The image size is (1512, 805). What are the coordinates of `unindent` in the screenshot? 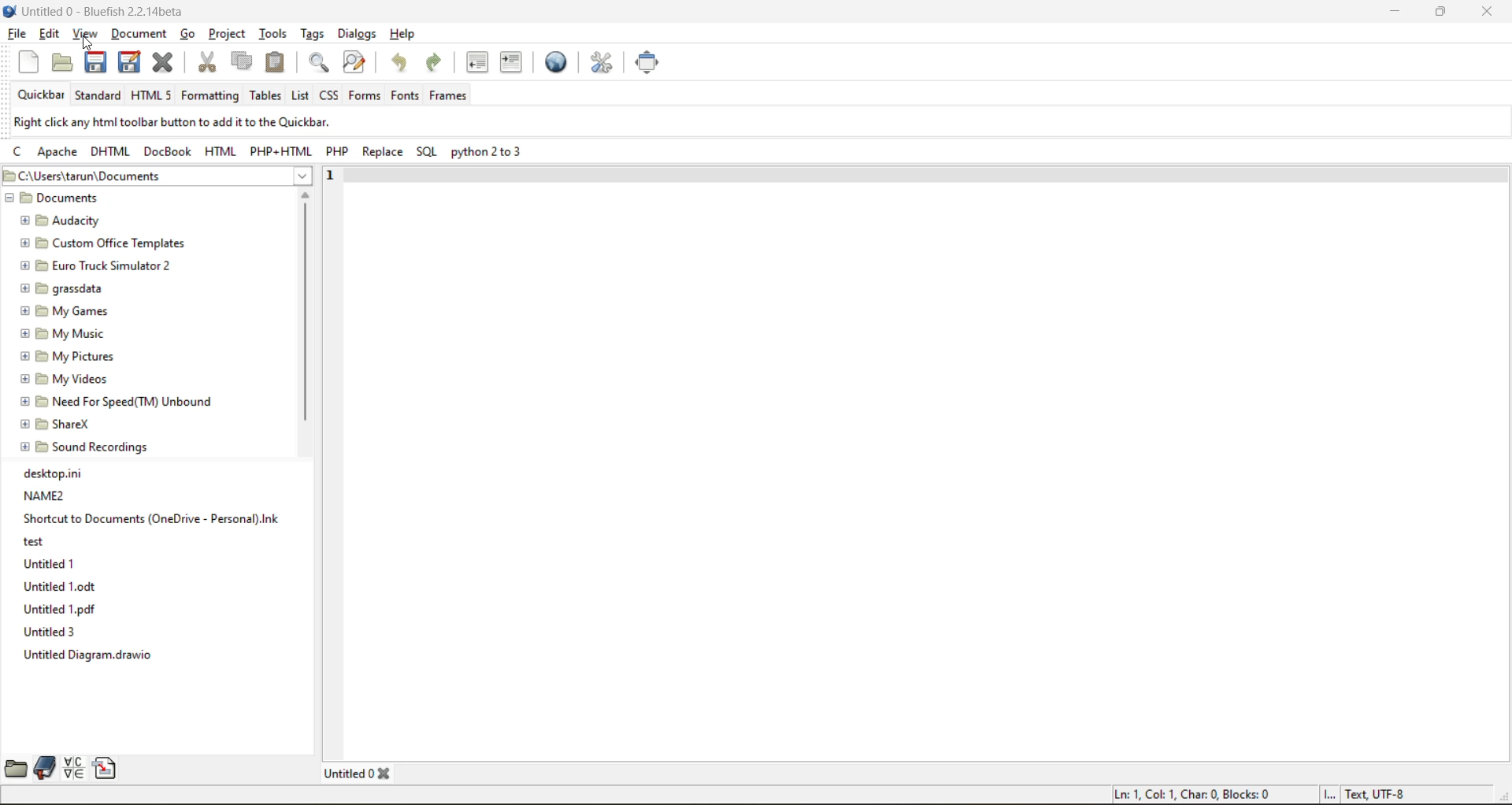 It's located at (477, 61).